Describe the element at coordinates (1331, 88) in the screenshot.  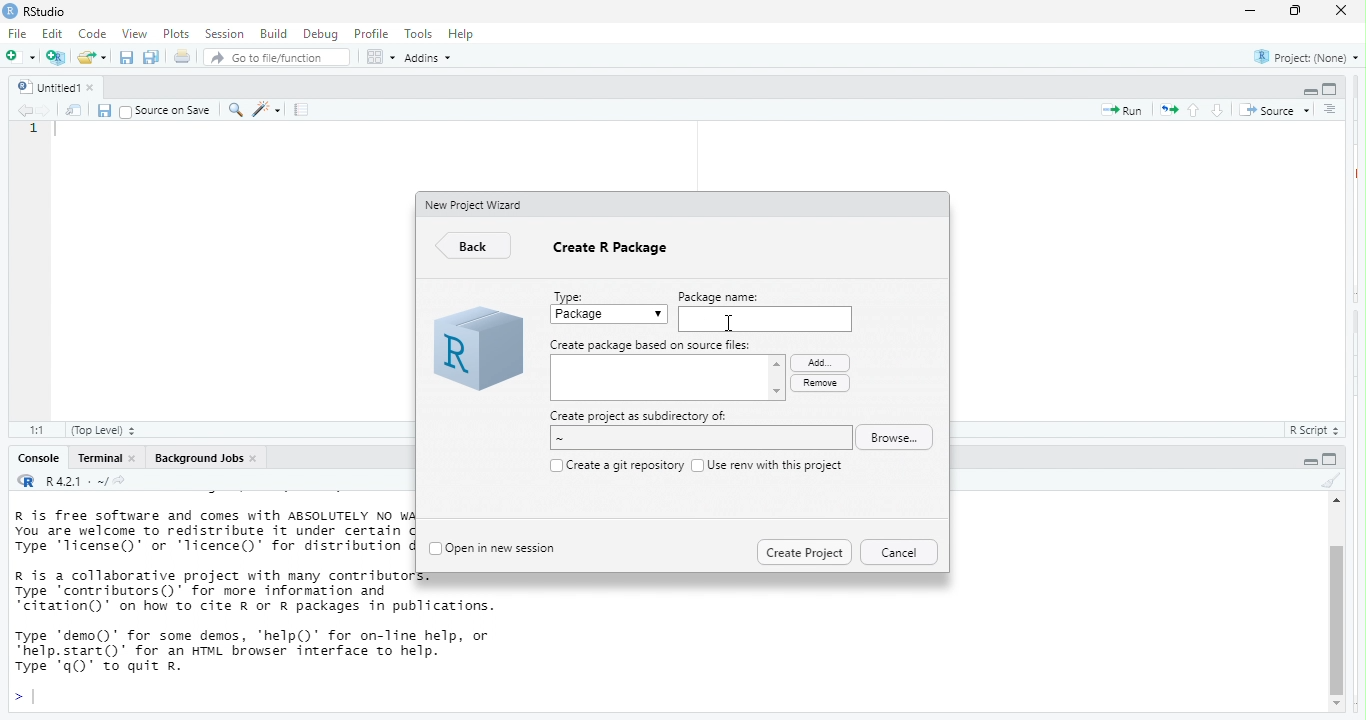
I see `hide console` at that location.